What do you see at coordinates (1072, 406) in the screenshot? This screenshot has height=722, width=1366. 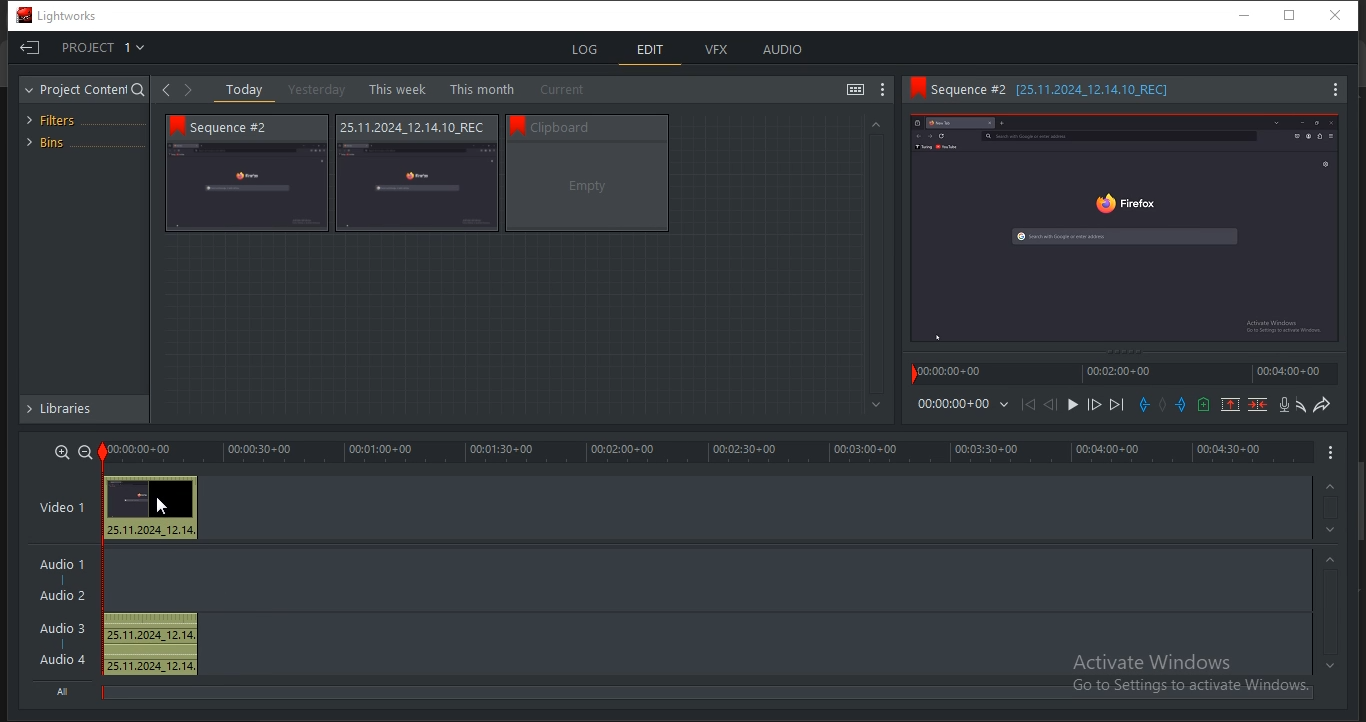 I see `Play` at bounding box center [1072, 406].